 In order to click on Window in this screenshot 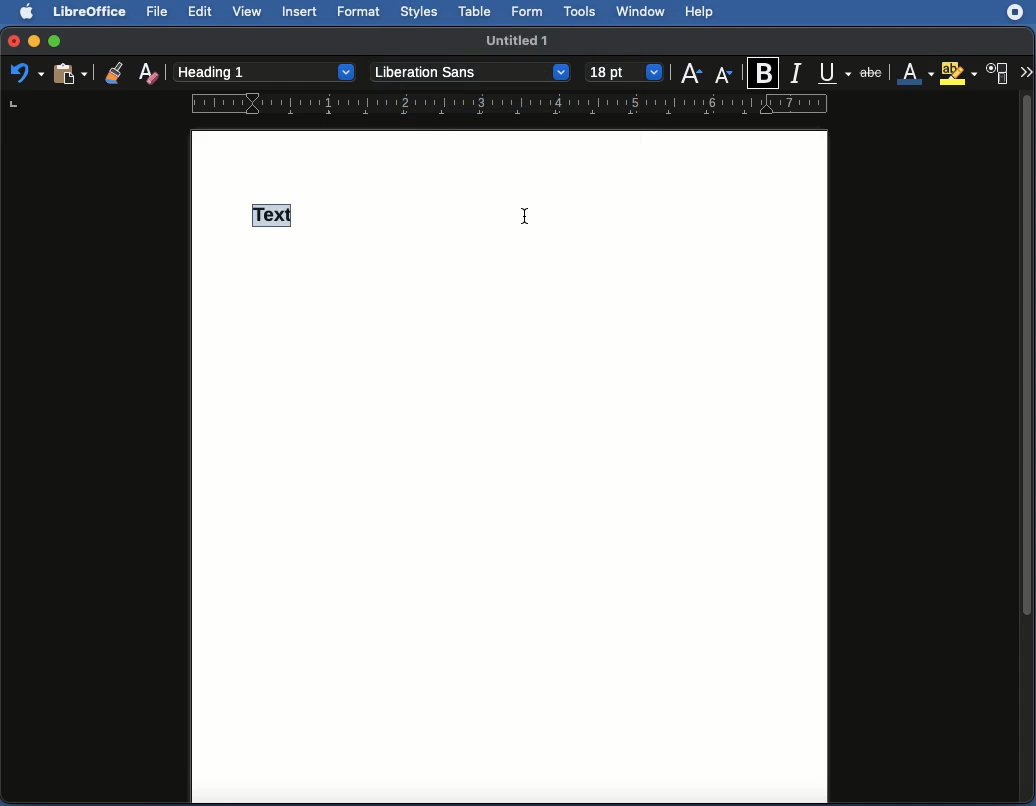, I will do `click(639, 13)`.